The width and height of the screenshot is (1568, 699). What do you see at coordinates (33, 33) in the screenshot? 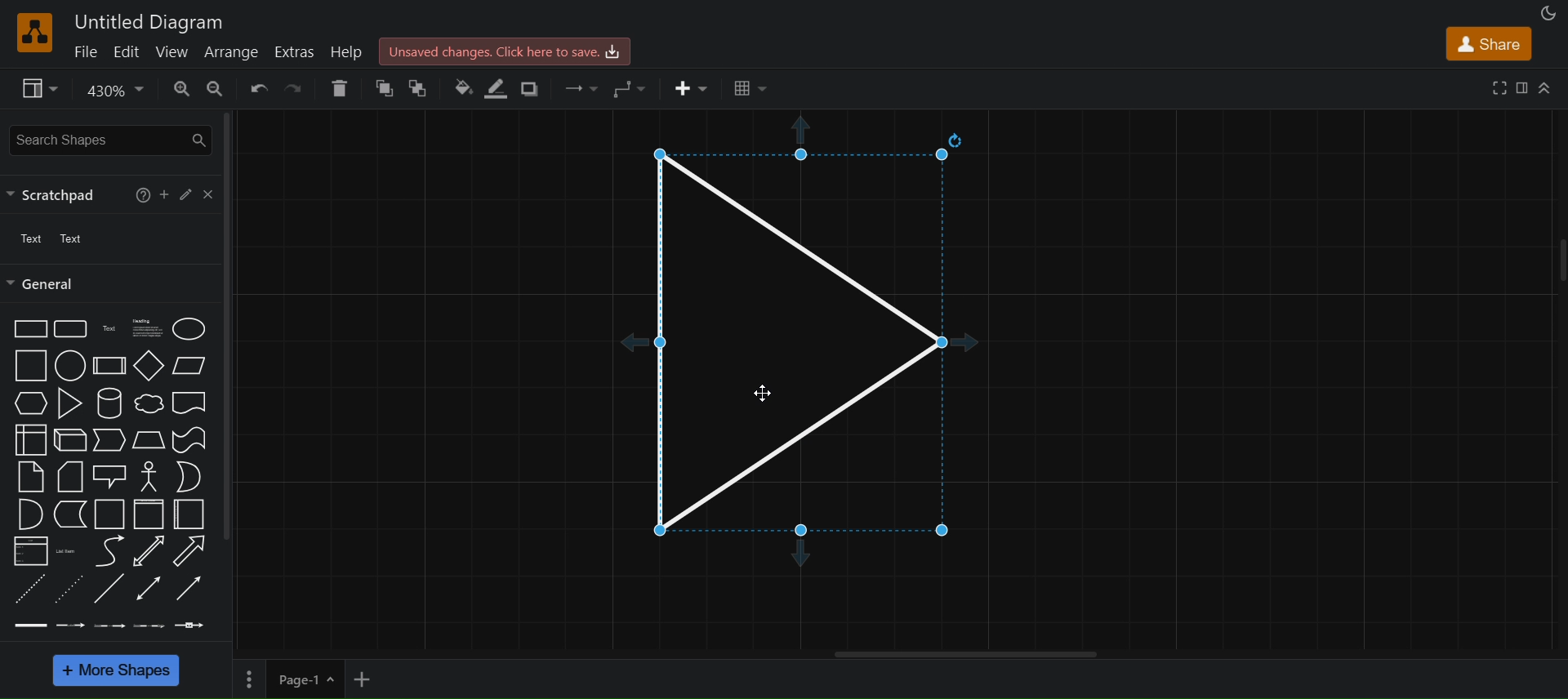
I see `logo` at bounding box center [33, 33].